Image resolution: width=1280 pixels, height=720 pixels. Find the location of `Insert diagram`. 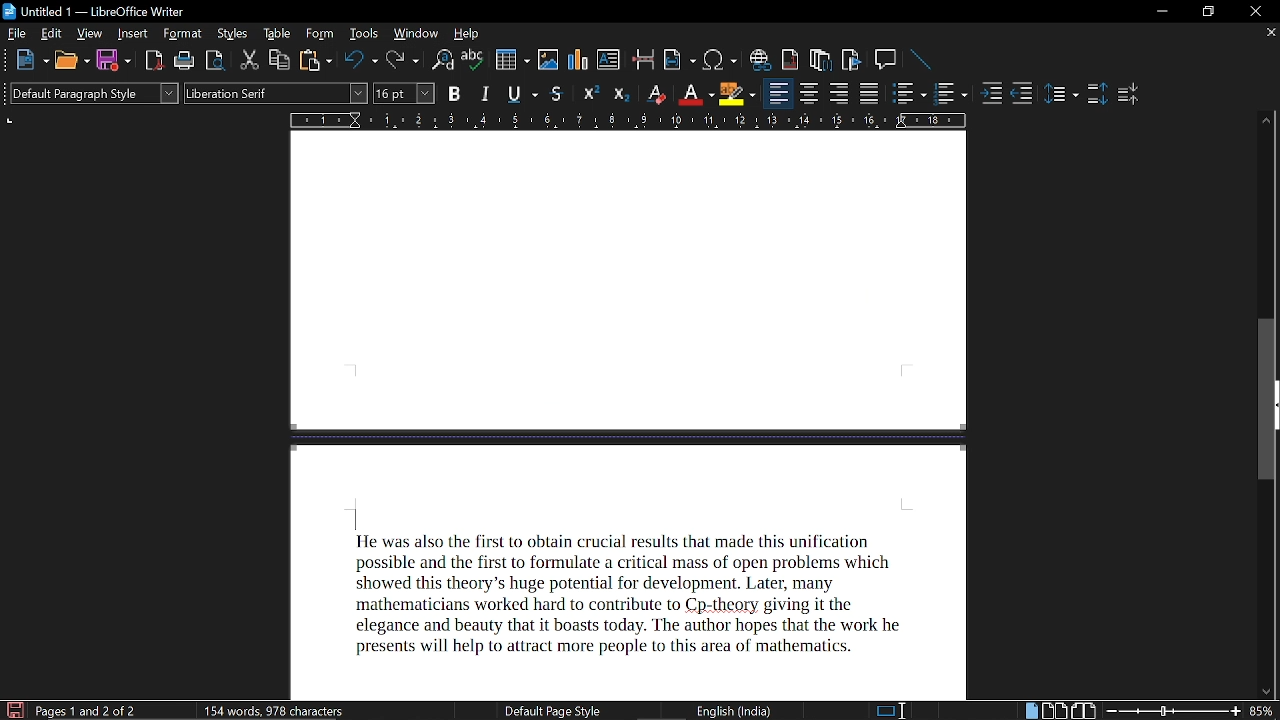

Insert diagram is located at coordinates (577, 59).